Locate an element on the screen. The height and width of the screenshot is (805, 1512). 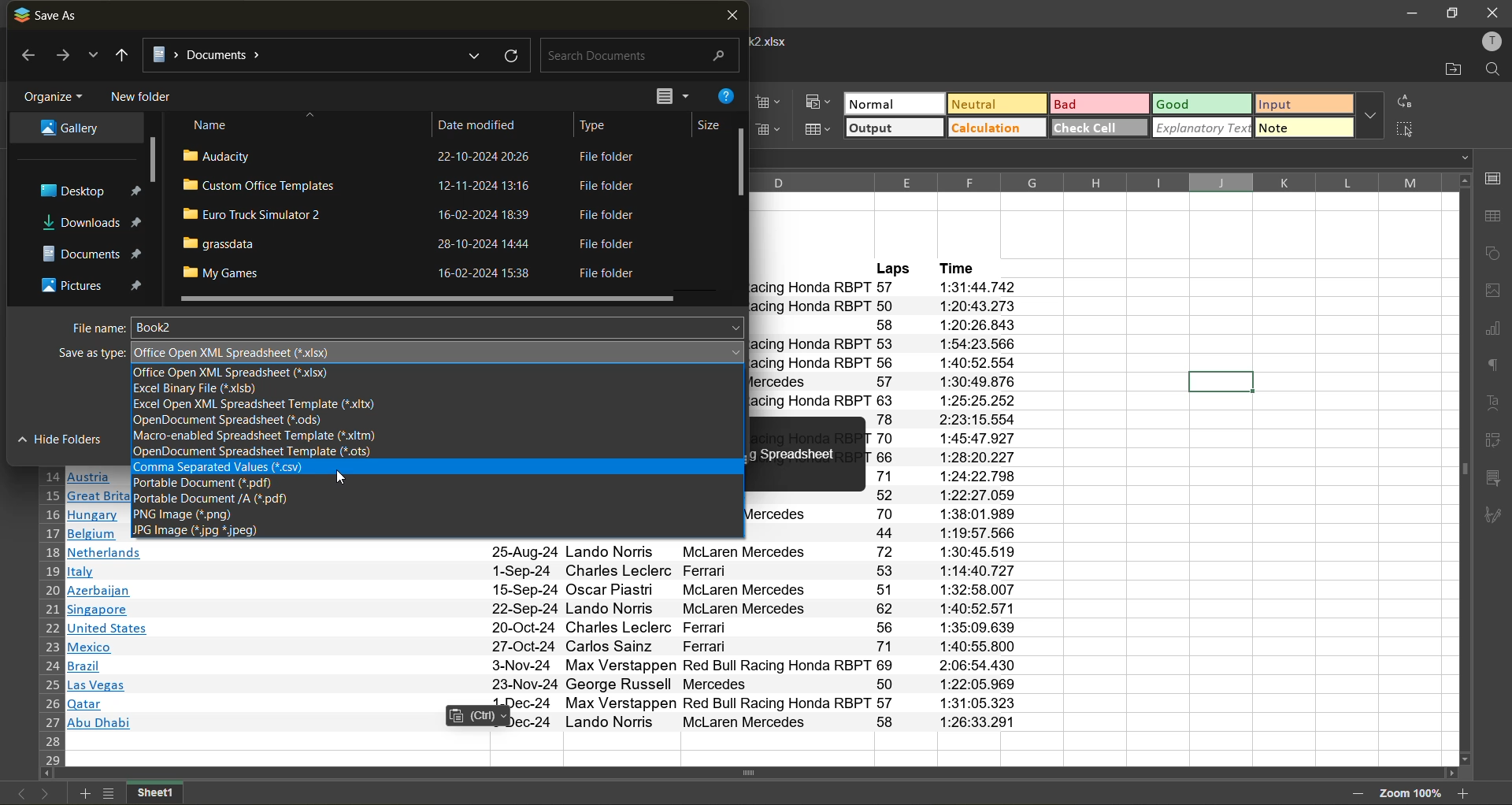
help is located at coordinates (731, 95).